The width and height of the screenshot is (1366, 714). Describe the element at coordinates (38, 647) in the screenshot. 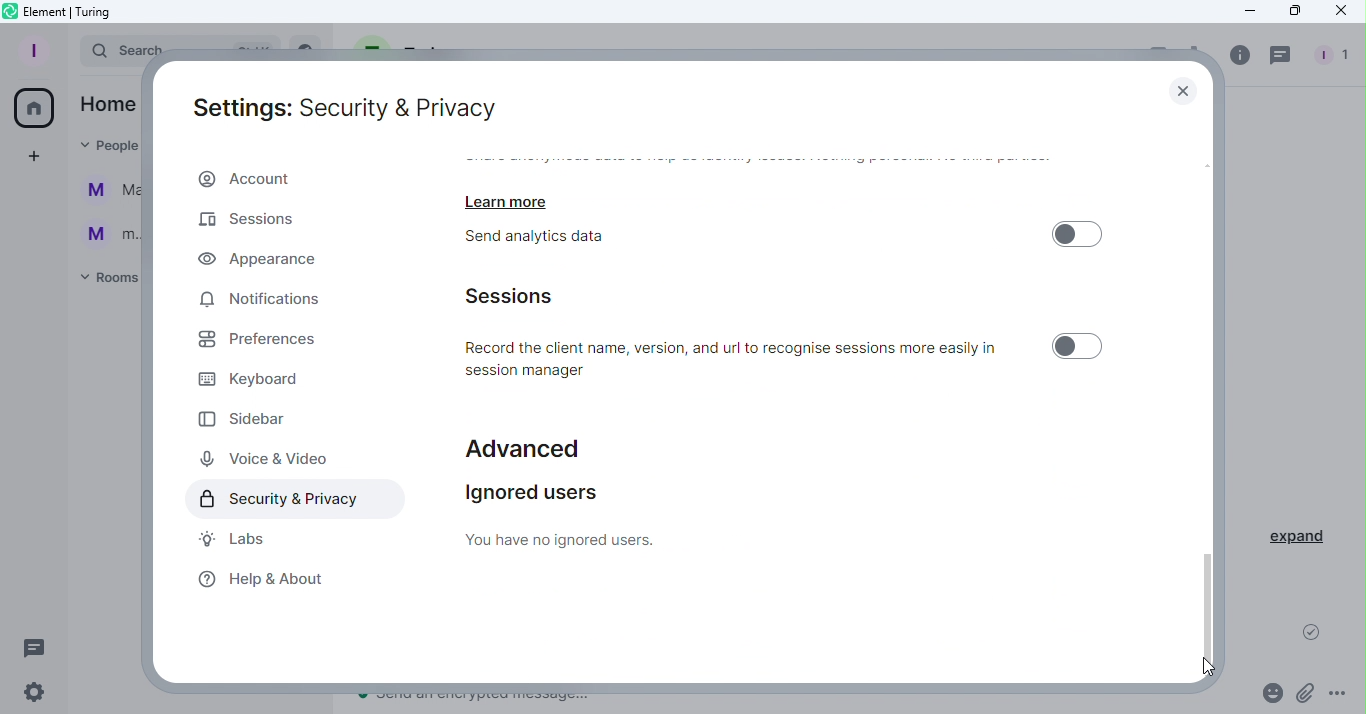

I see `Threads` at that location.